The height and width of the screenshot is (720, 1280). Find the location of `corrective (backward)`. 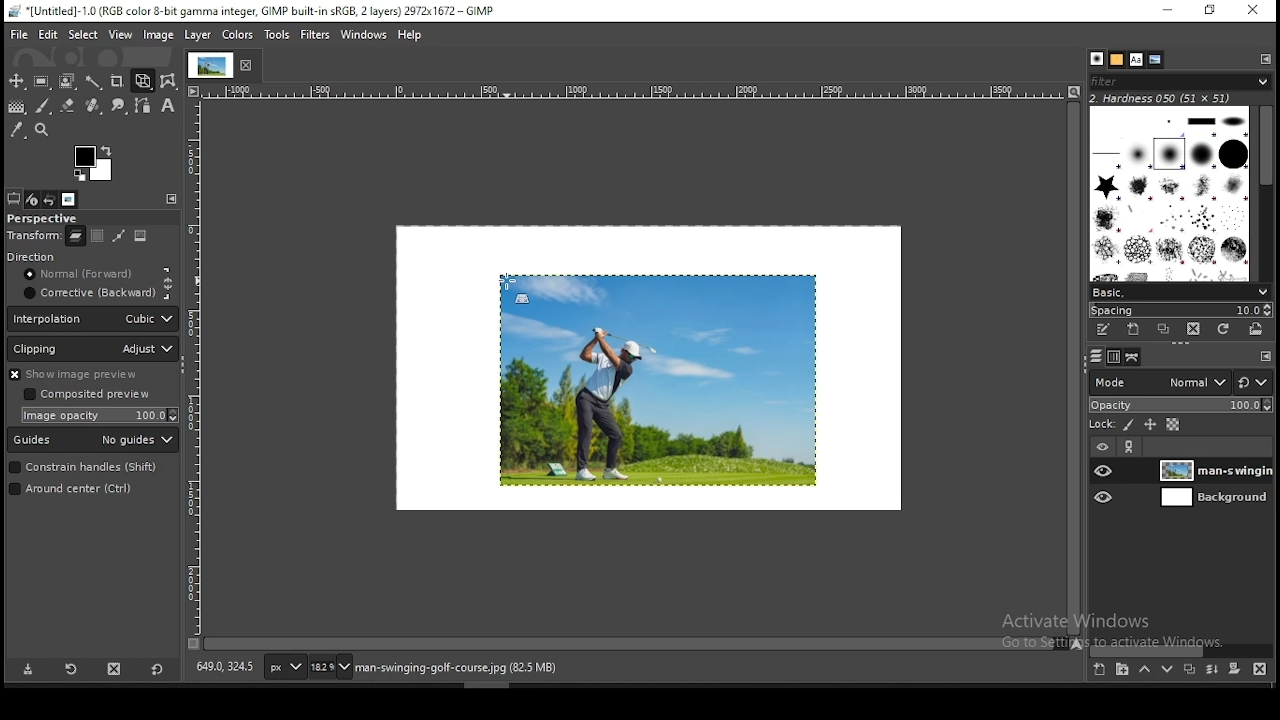

corrective (backward) is located at coordinates (87, 295).